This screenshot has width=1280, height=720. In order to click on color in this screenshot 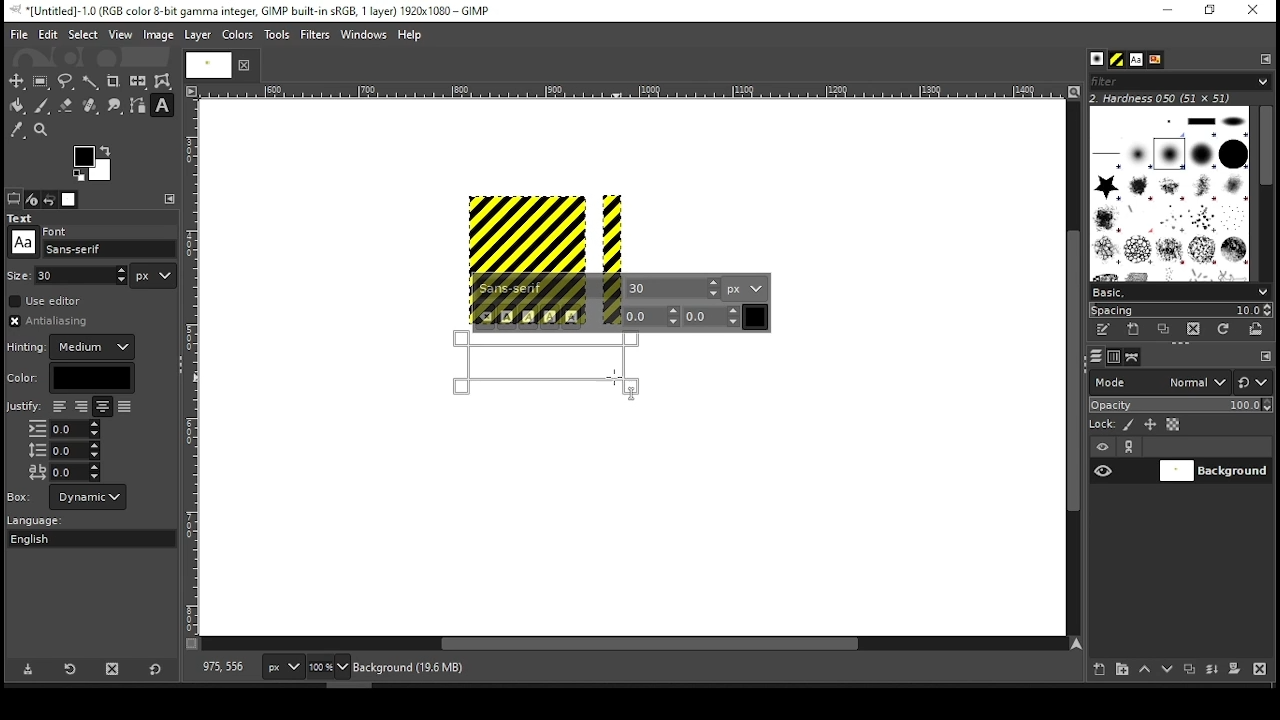, I will do `click(238, 34)`.